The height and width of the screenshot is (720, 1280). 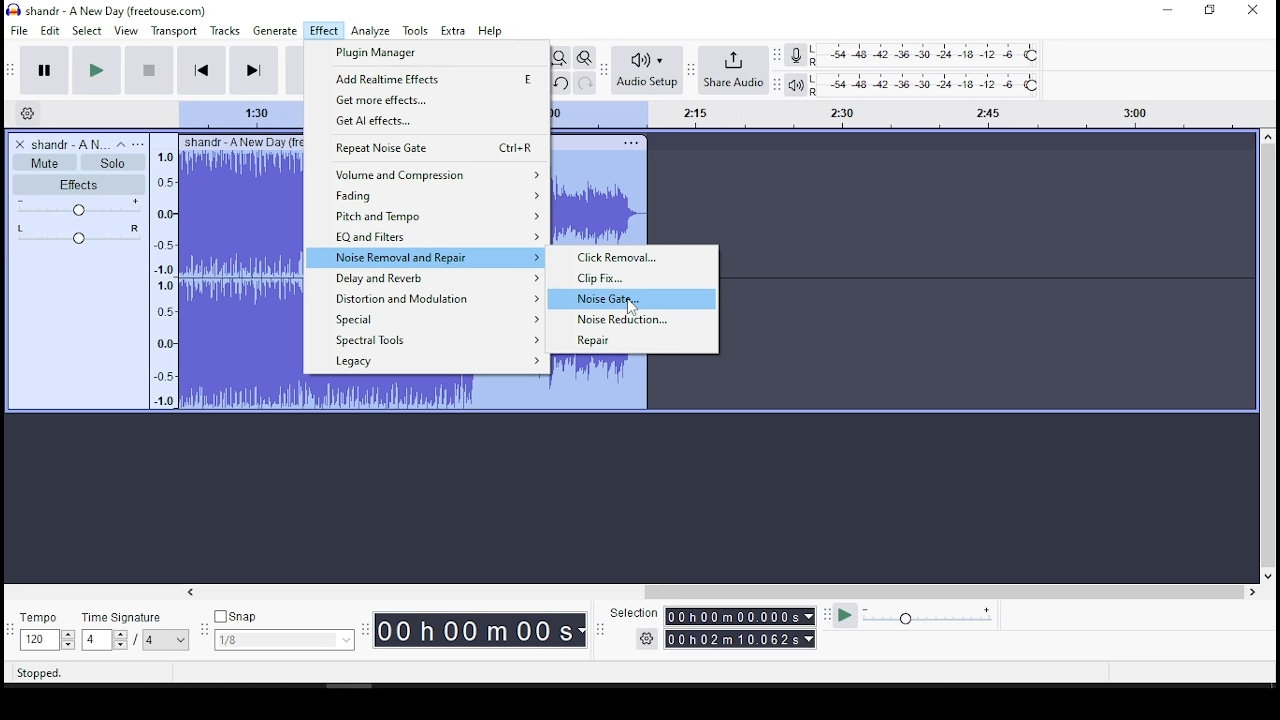 I want to click on help, so click(x=489, y=30).